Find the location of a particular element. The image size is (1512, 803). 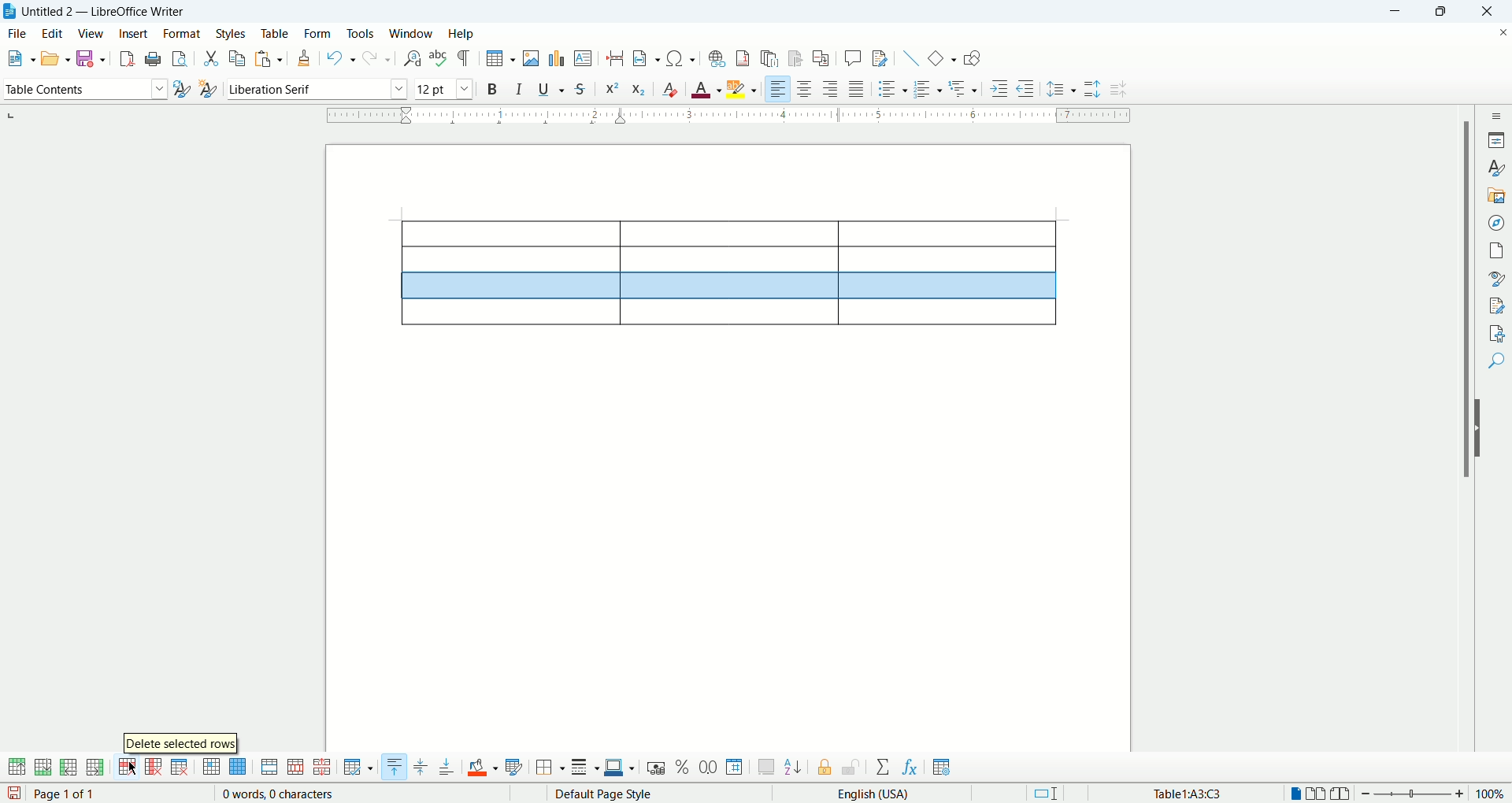

strikethrough is located at coordinates (580, 88).